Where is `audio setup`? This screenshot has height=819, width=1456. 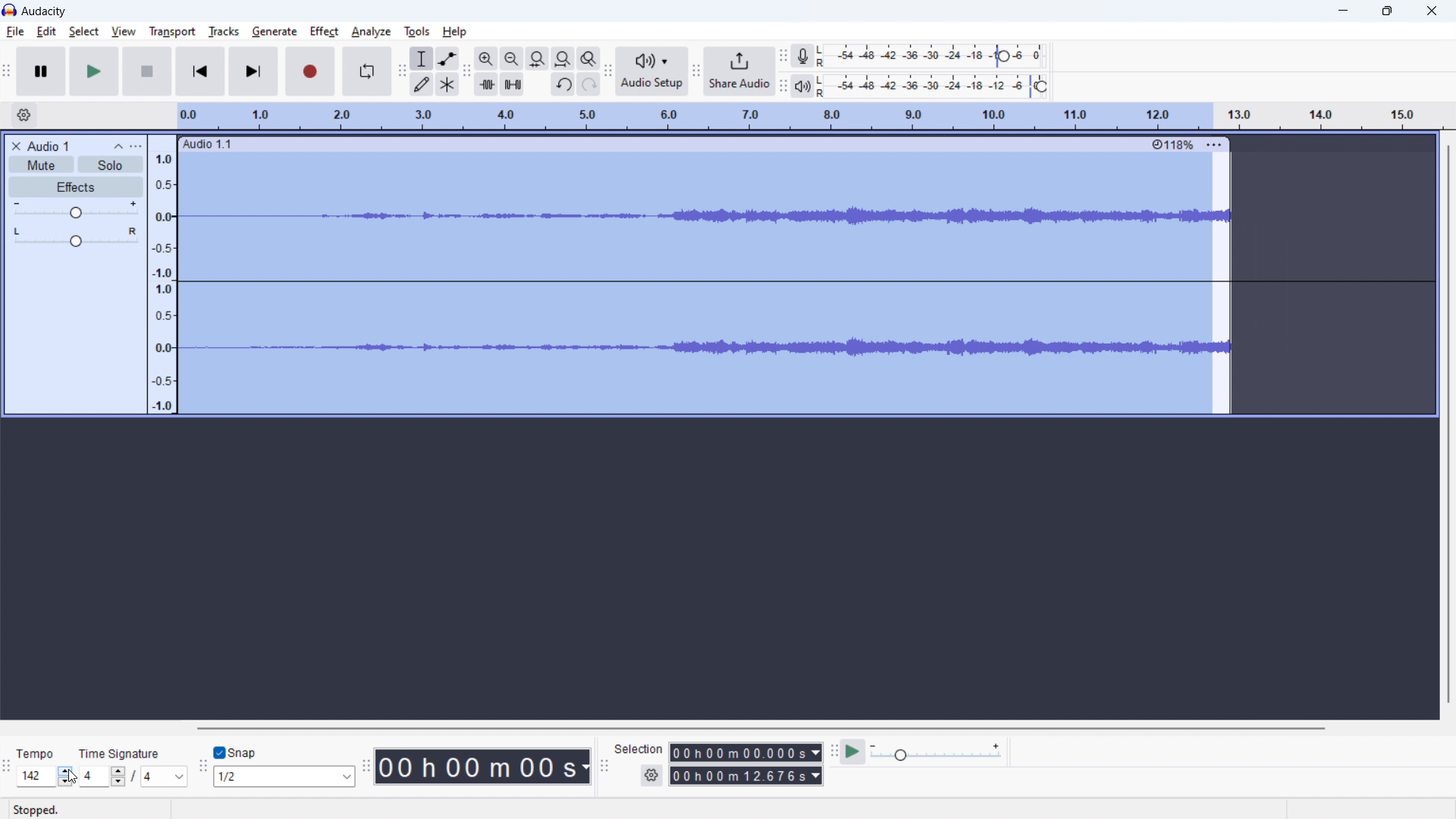 audio setup is located at coordinates (652, 71).